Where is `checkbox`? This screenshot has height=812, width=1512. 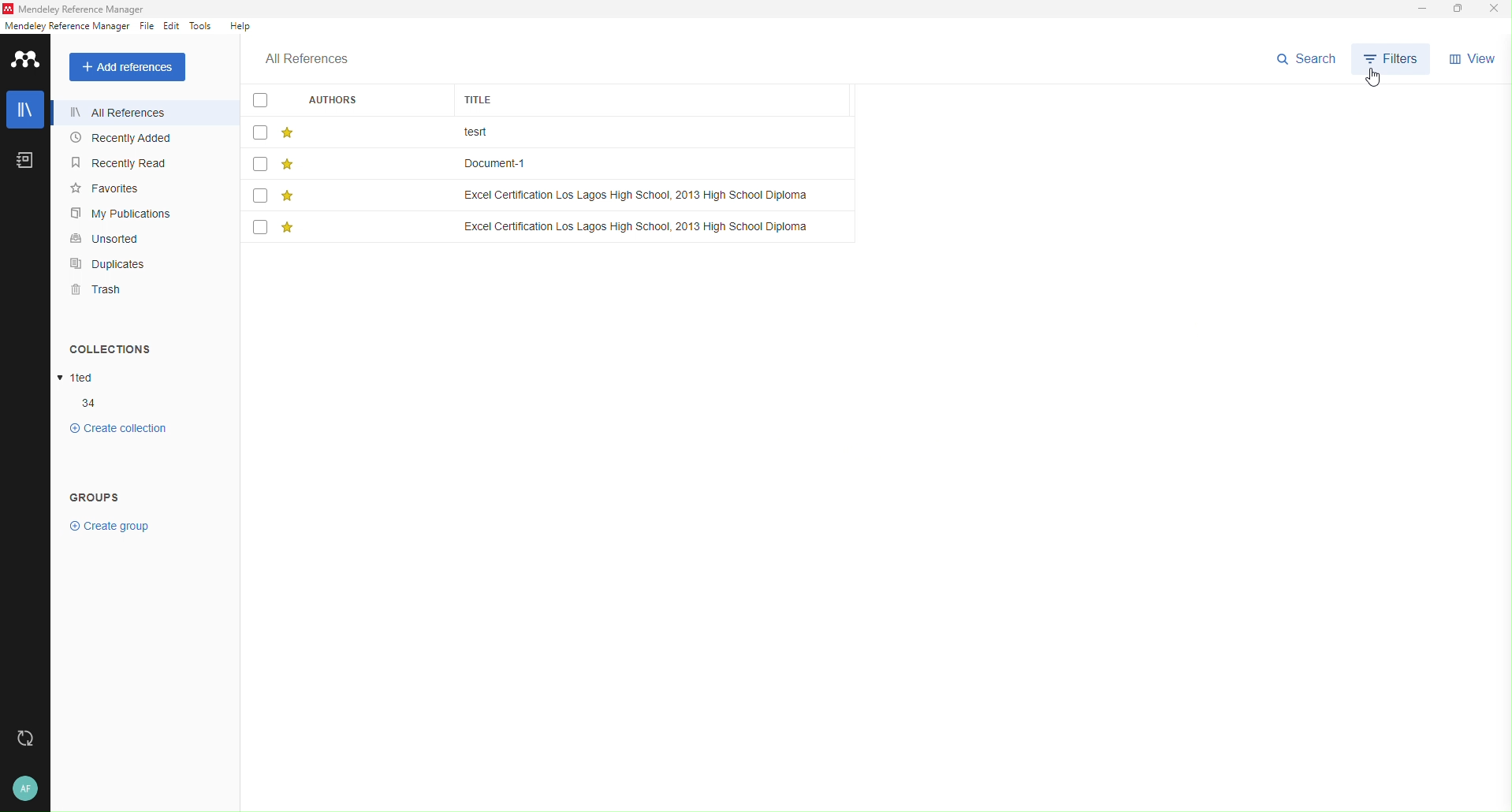
checkbox is located at coordinates (260, 163).